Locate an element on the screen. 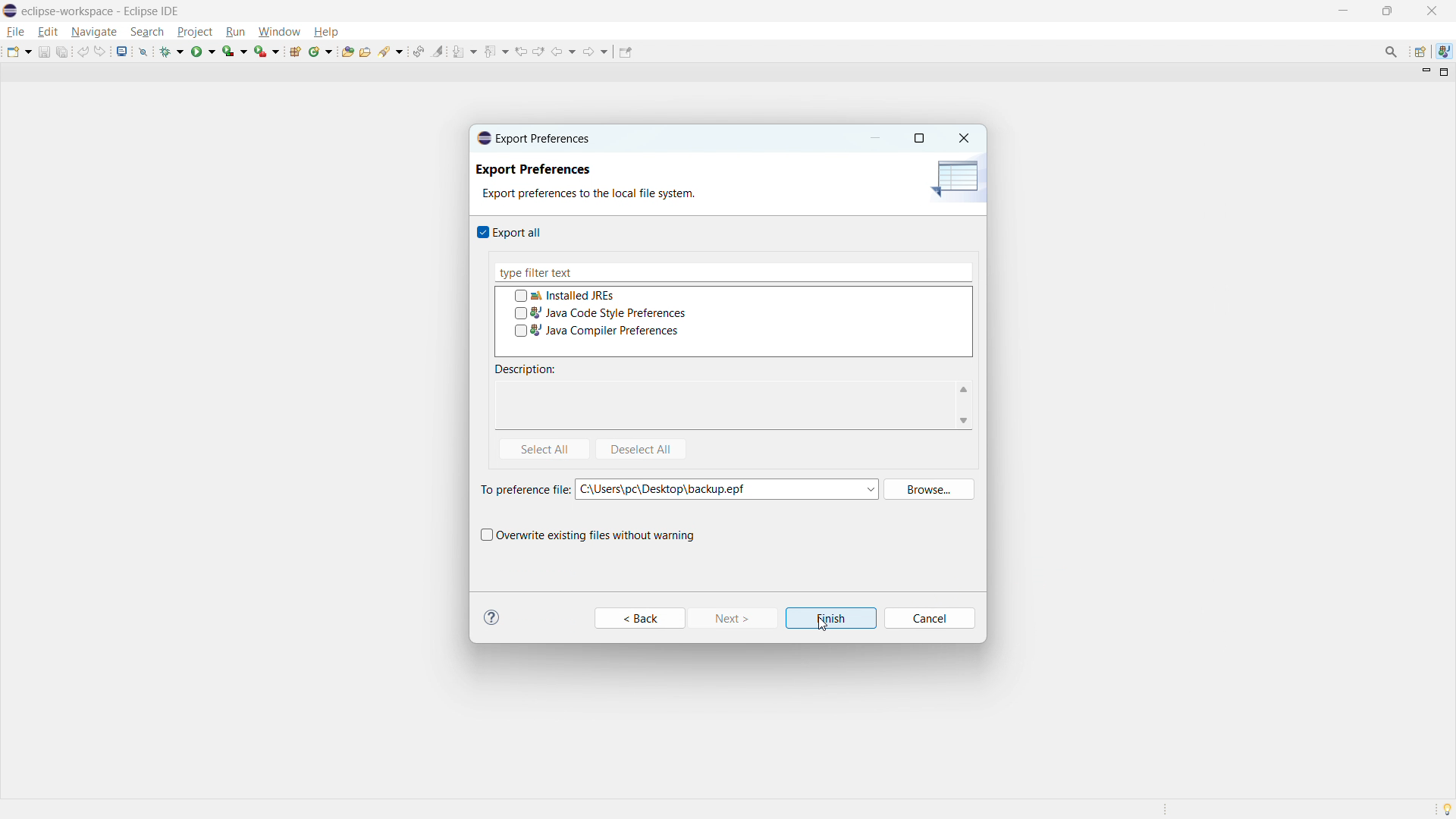  toggle ant editor auto reconcile is located at coordinates (418, 51).